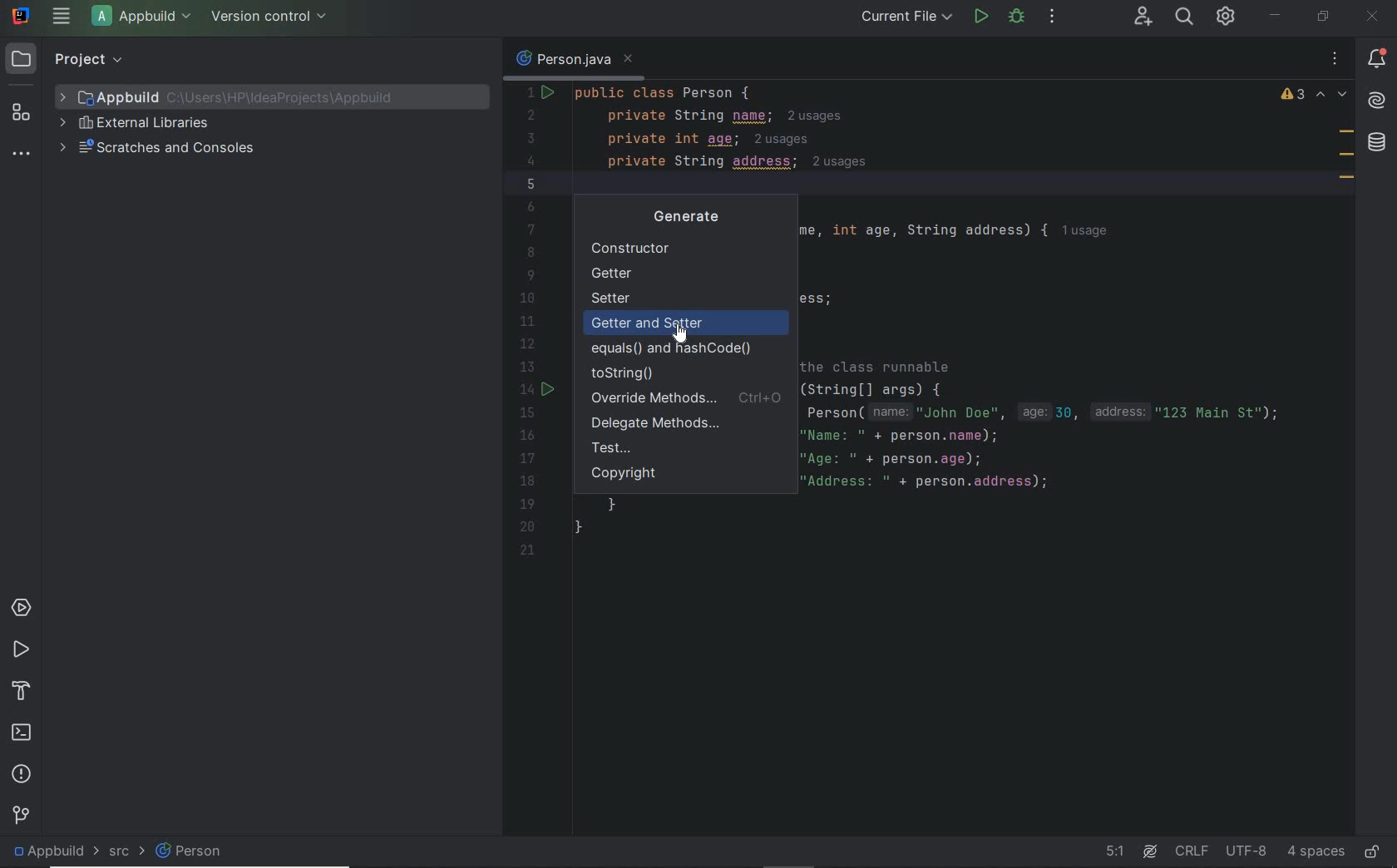 This screenshot has height=868, width=1397. What do you see at coordinates (136, 123) in the screenshot?
I see `external libraries` at bounding box center [136, 123].